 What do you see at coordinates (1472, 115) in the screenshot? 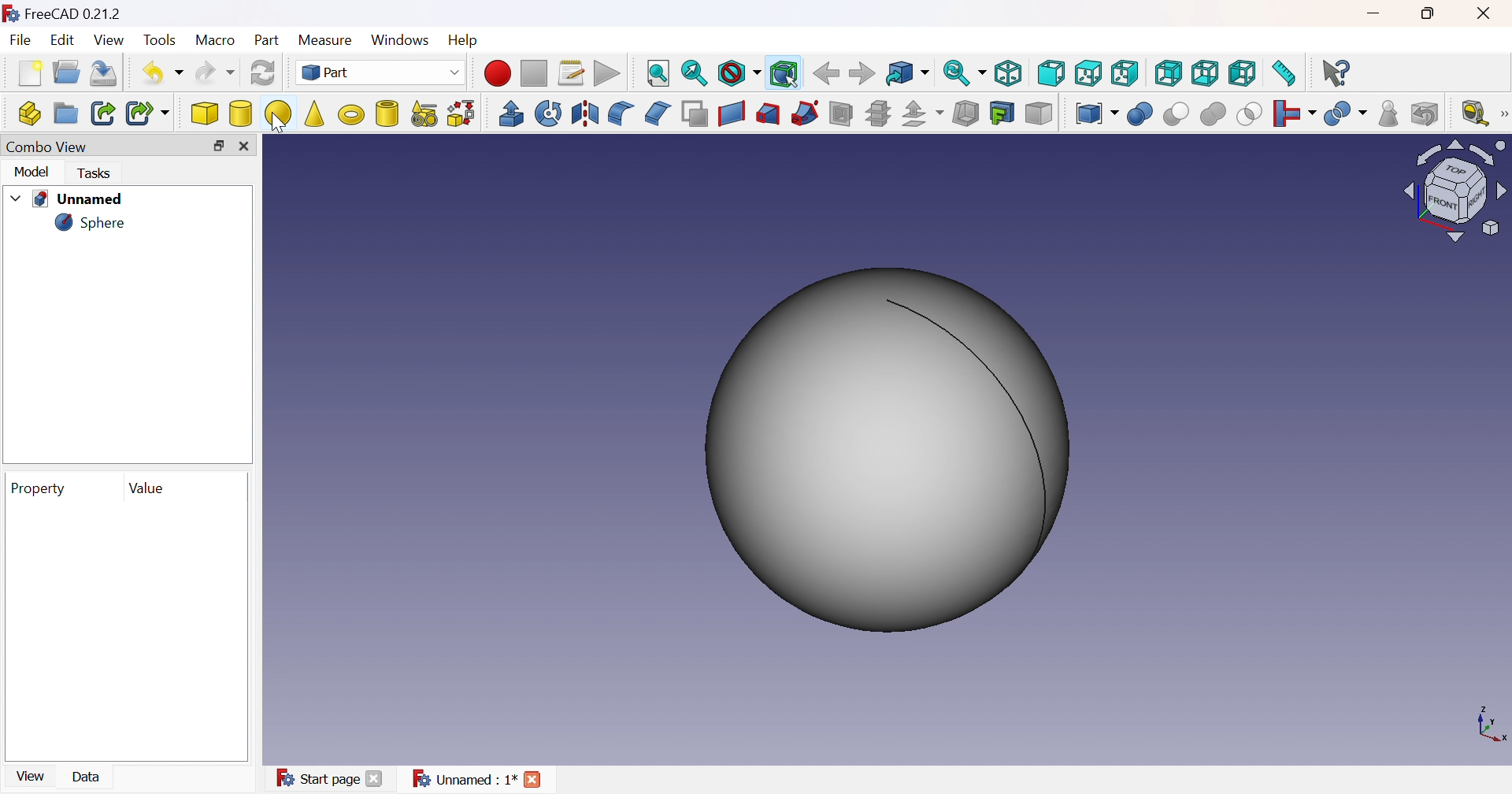
I see `Measure liner` at bounding box center [1472, 115].